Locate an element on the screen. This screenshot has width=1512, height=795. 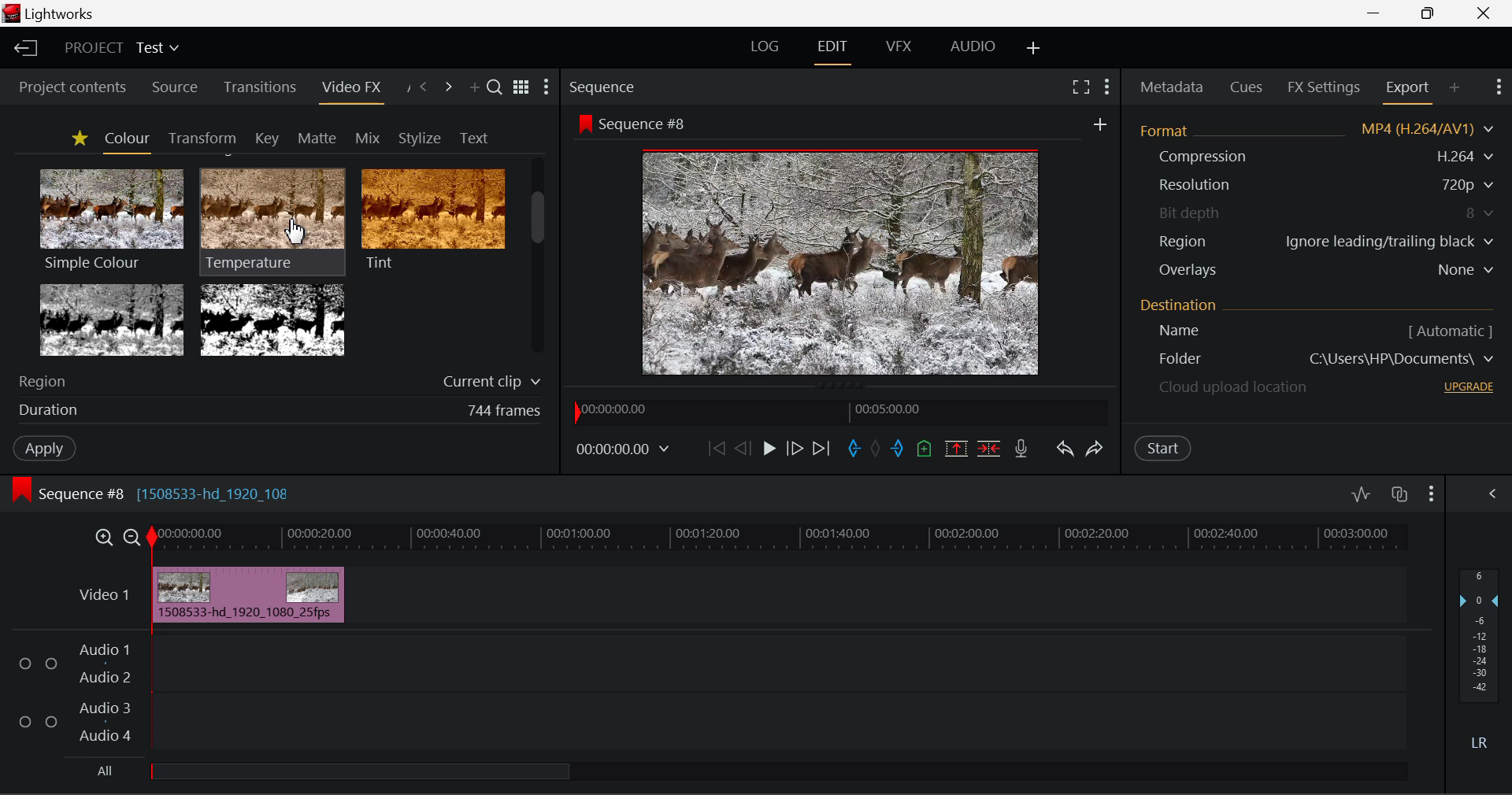
Search is located at coordinates (496, 90).